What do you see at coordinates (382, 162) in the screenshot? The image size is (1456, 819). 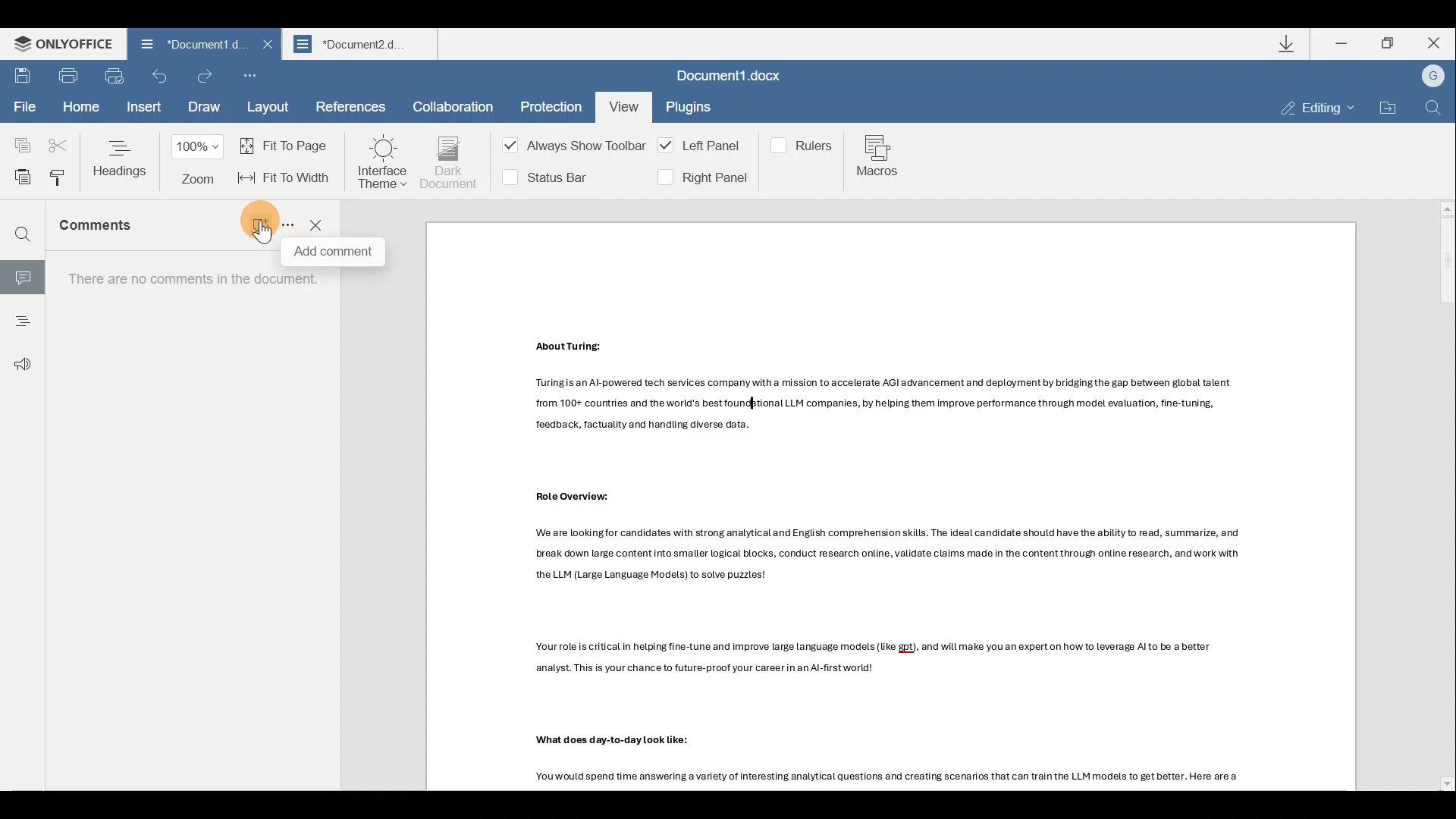 I see `Interface theme` at bounding box center [382, 162].